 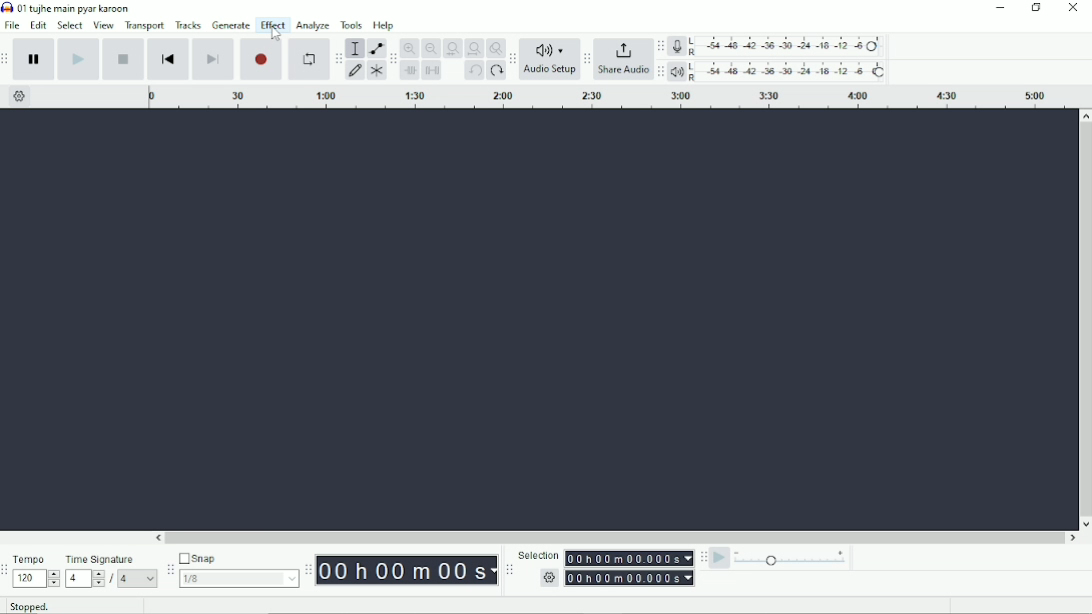 What do you see at coordinates (7, 62) in the screenshot?
I see `Audacity transport toolbar` at bounding box center [7, 62].